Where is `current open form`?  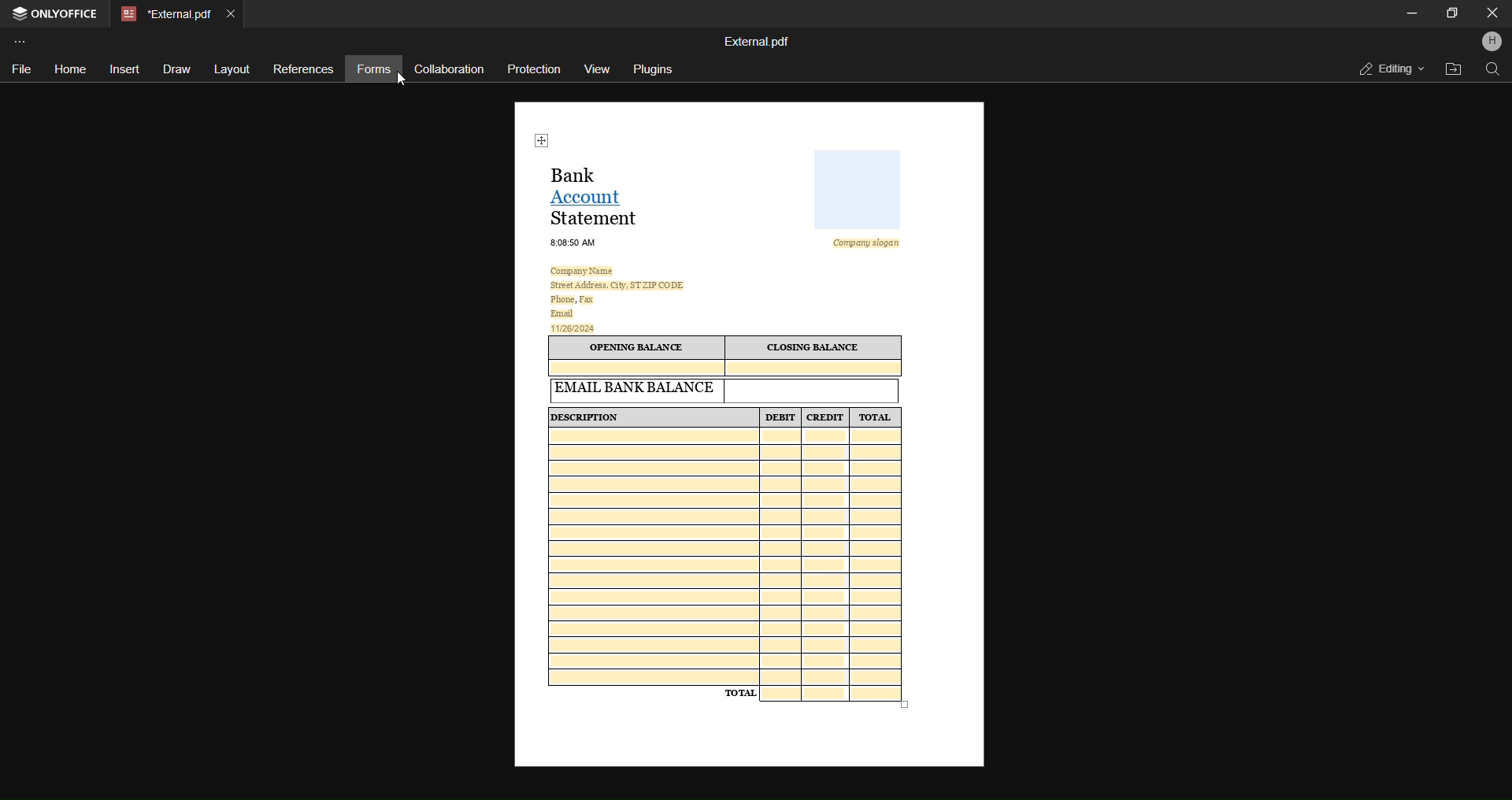 current open form is located at coordinates (746, 435).